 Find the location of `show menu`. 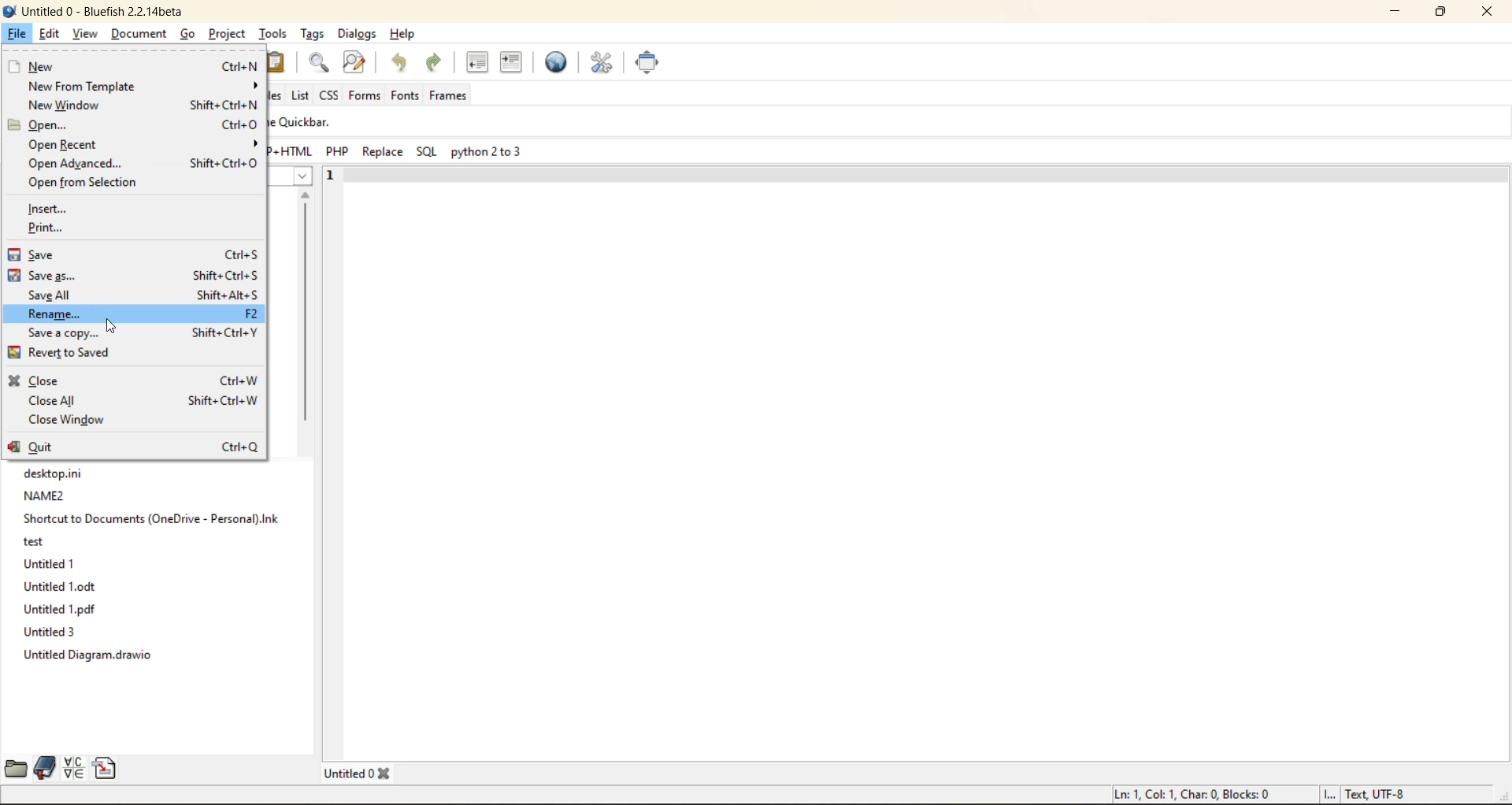

show menu is located at coordinates (258, 143).